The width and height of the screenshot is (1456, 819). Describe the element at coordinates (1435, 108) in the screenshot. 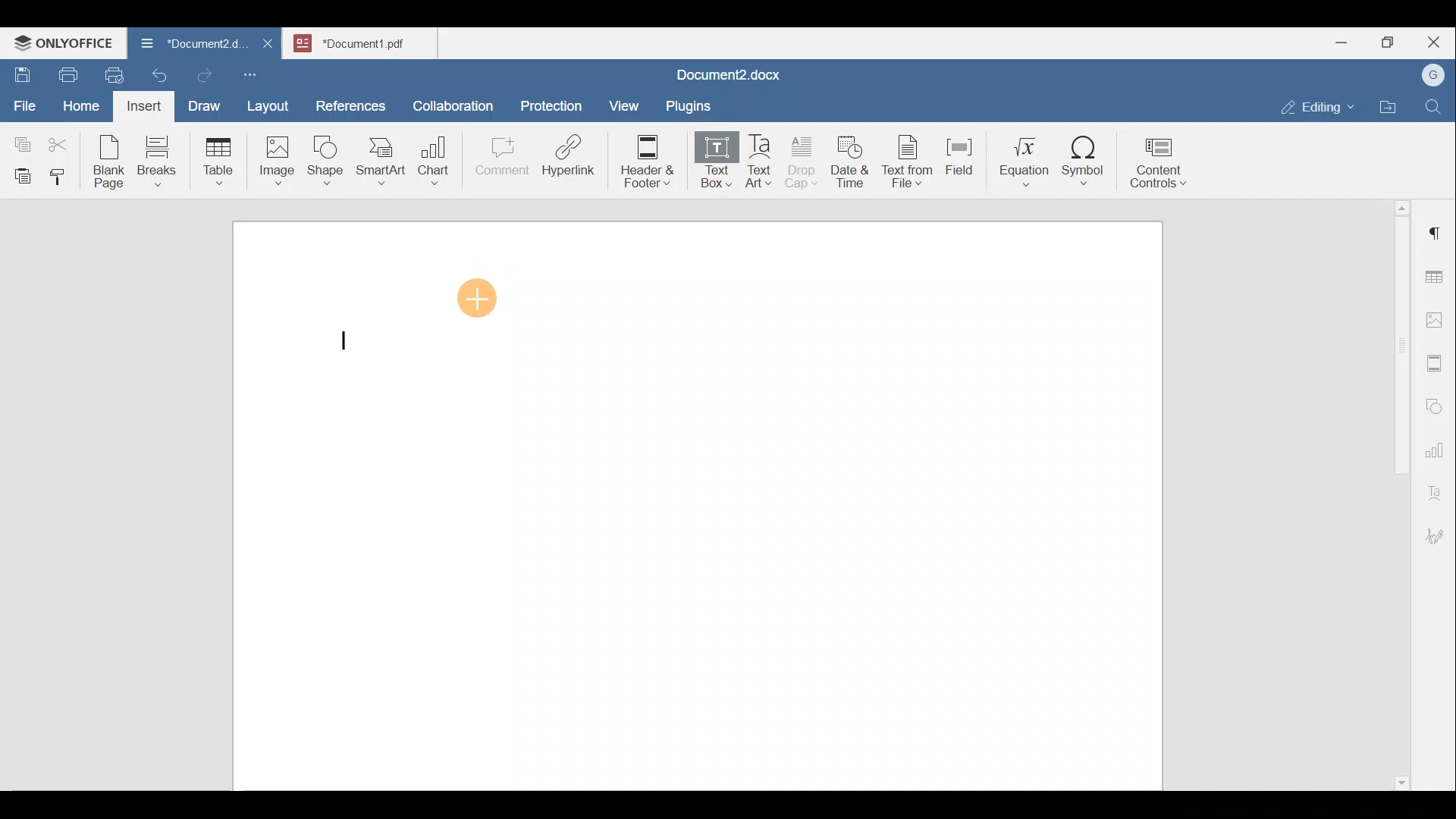

I see `Find` at that location.